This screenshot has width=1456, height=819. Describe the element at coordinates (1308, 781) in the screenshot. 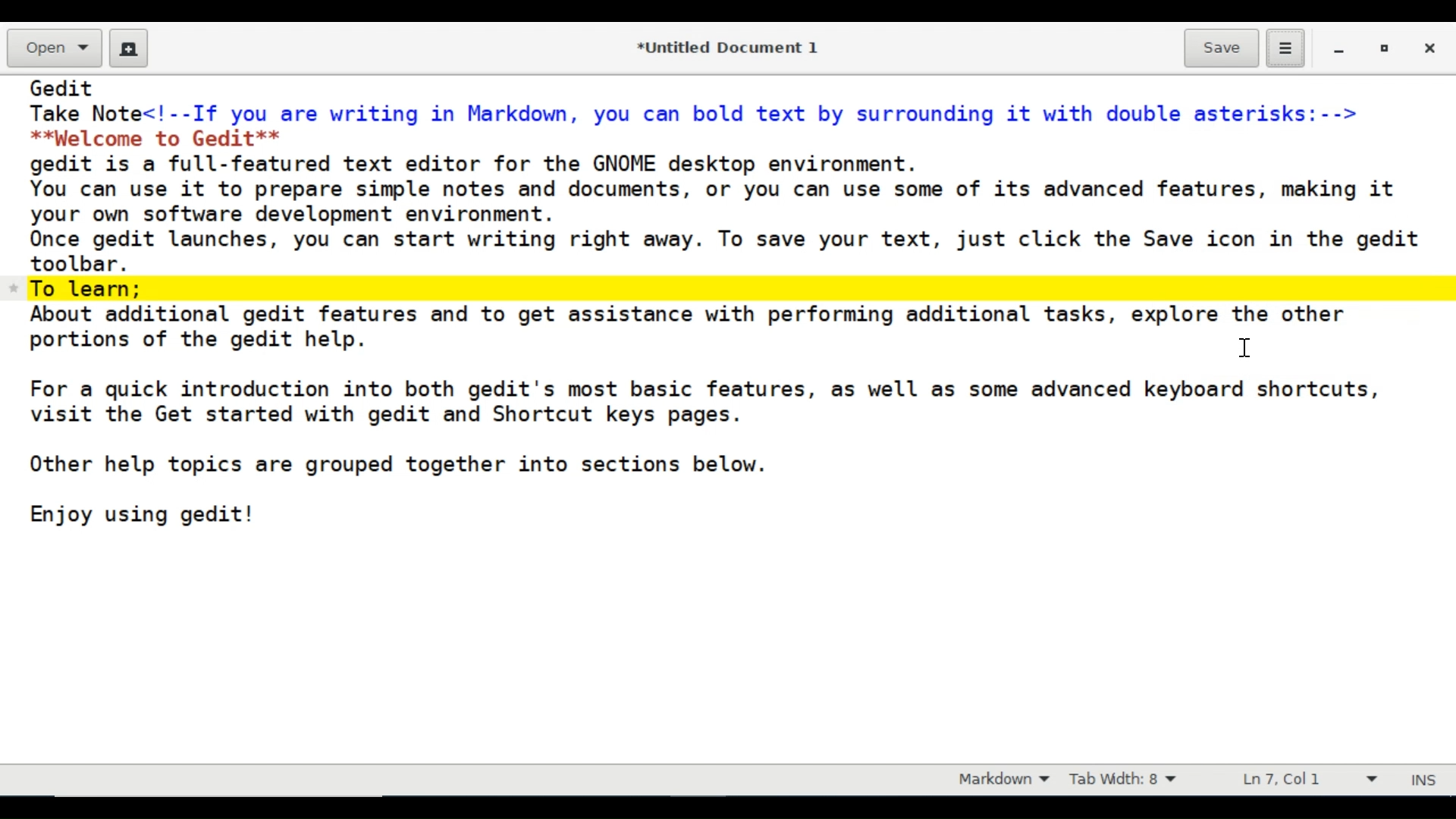

I see `Line and Column prefernce` at that location.